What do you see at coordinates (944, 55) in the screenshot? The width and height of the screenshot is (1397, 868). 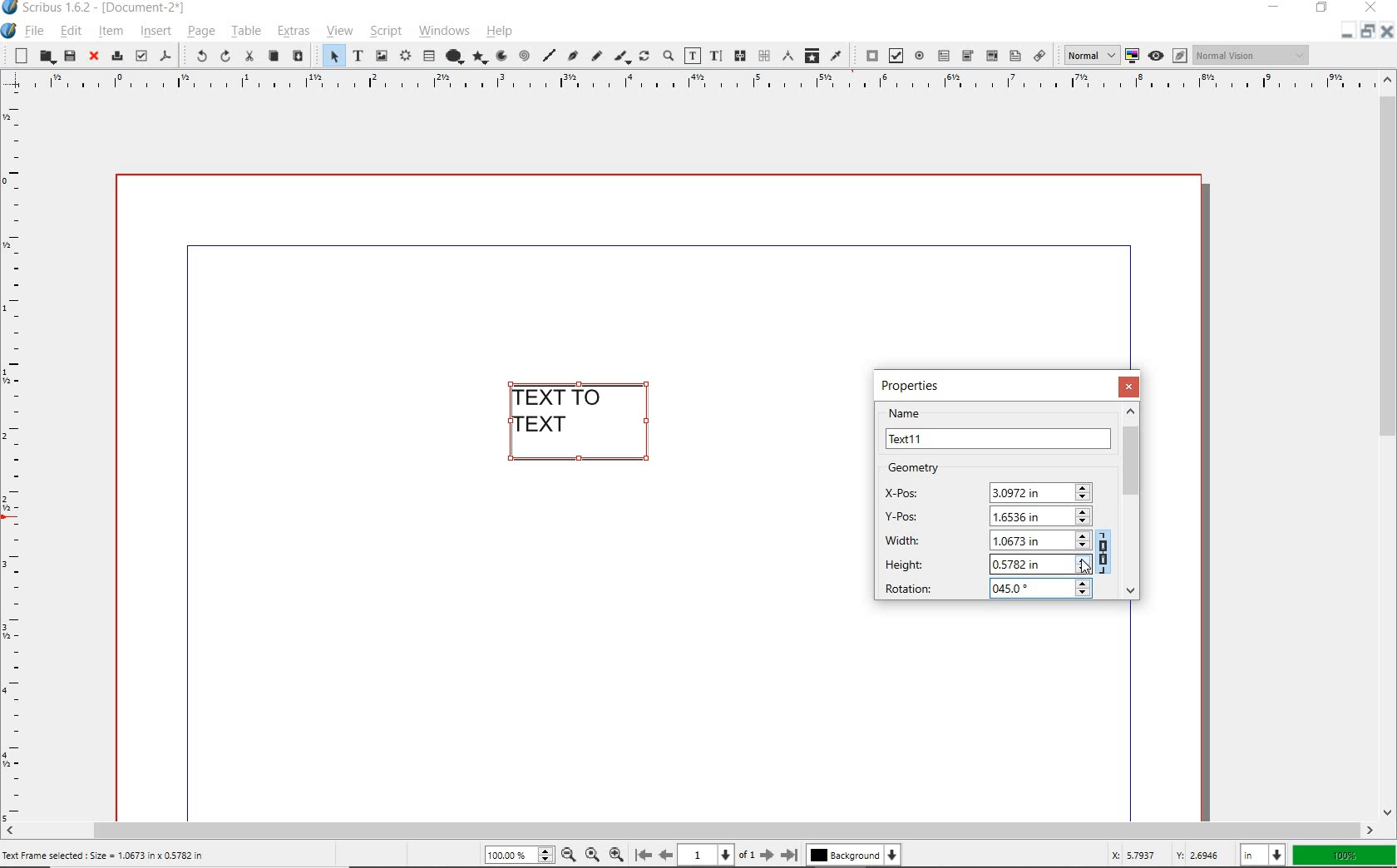 I see `pdf text field` at bounding box center [944, 55].